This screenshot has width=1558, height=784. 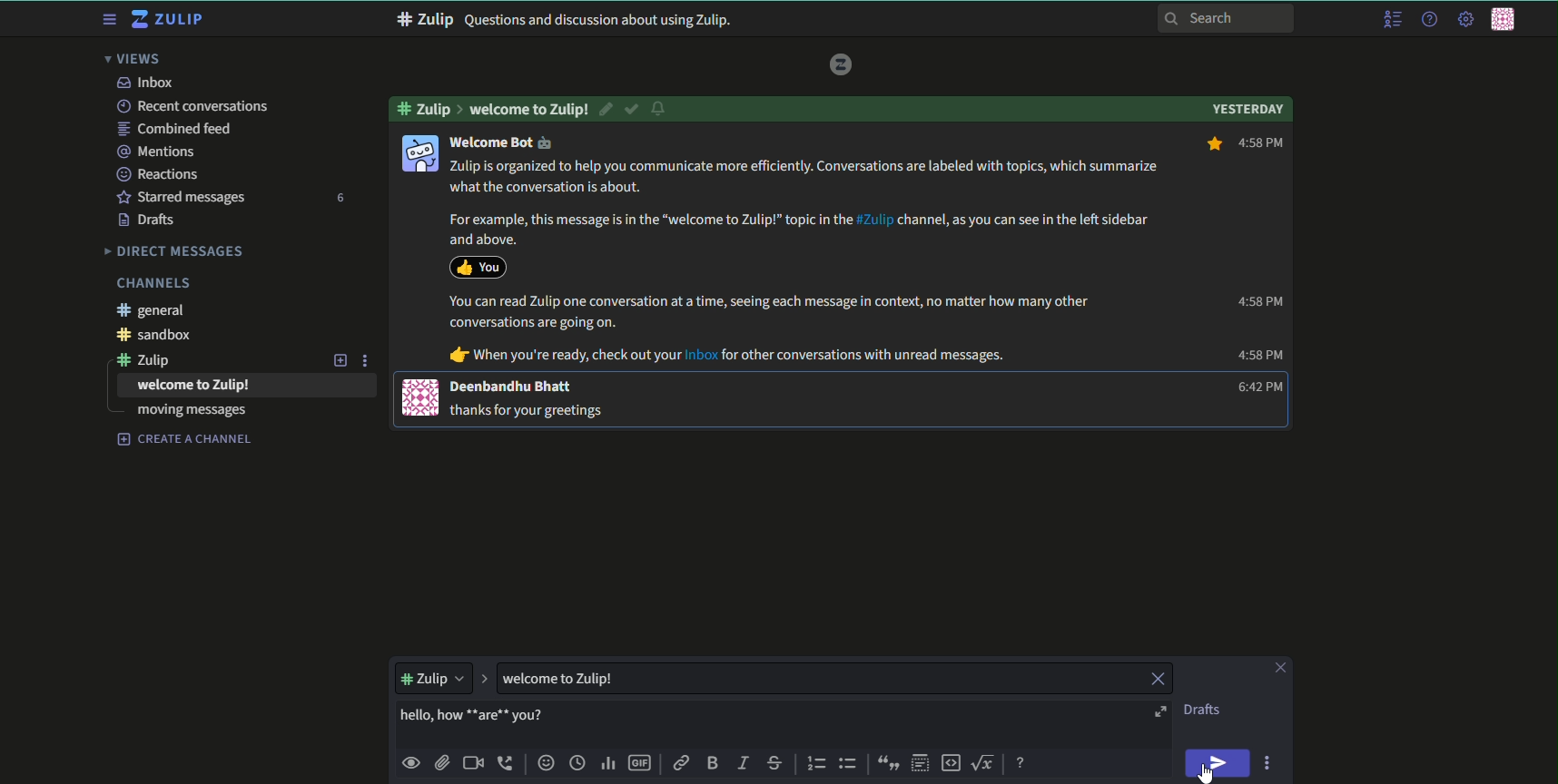 I want to click on add gif, so click(x=642, y=765).